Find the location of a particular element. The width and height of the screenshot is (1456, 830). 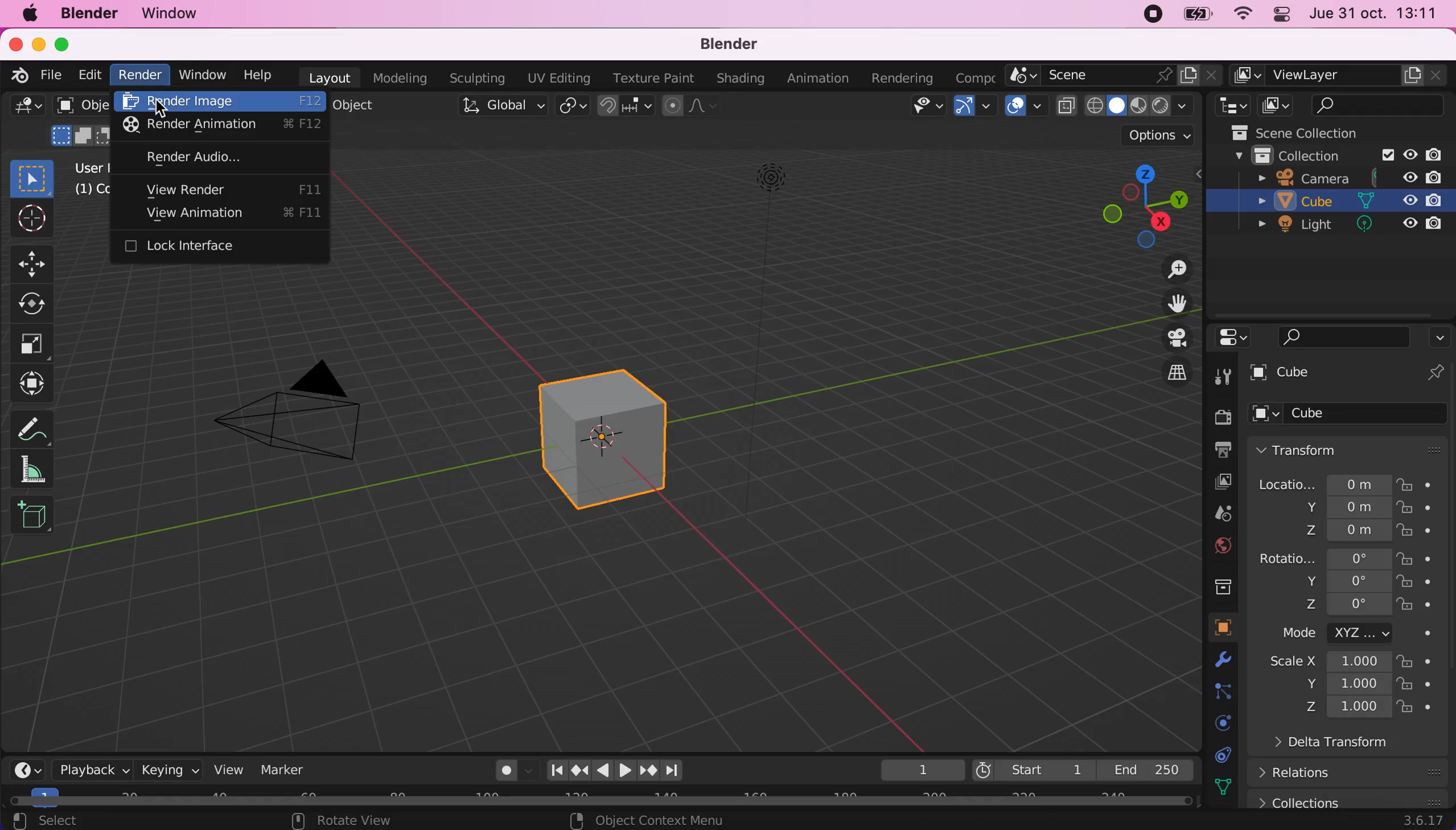

collections is located at coordinates (1348, 798).